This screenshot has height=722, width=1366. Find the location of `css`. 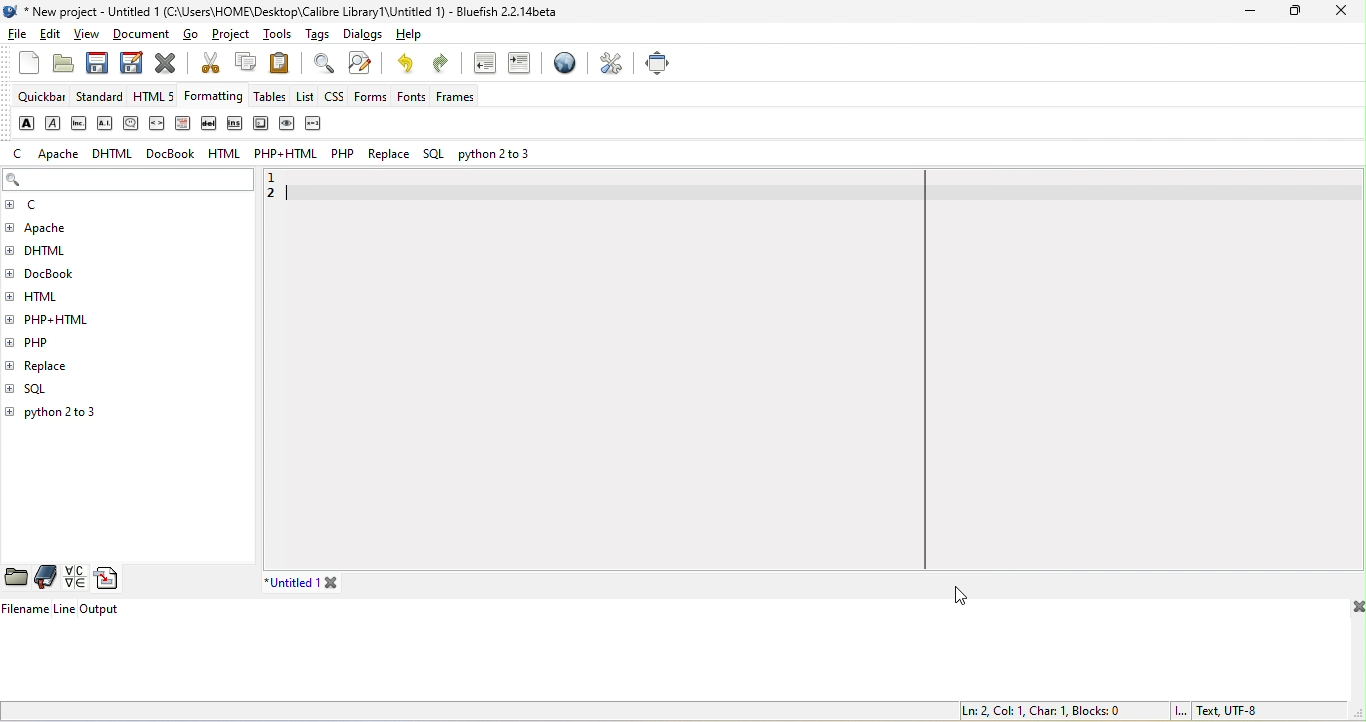

css is located at coordinates (335, 99).